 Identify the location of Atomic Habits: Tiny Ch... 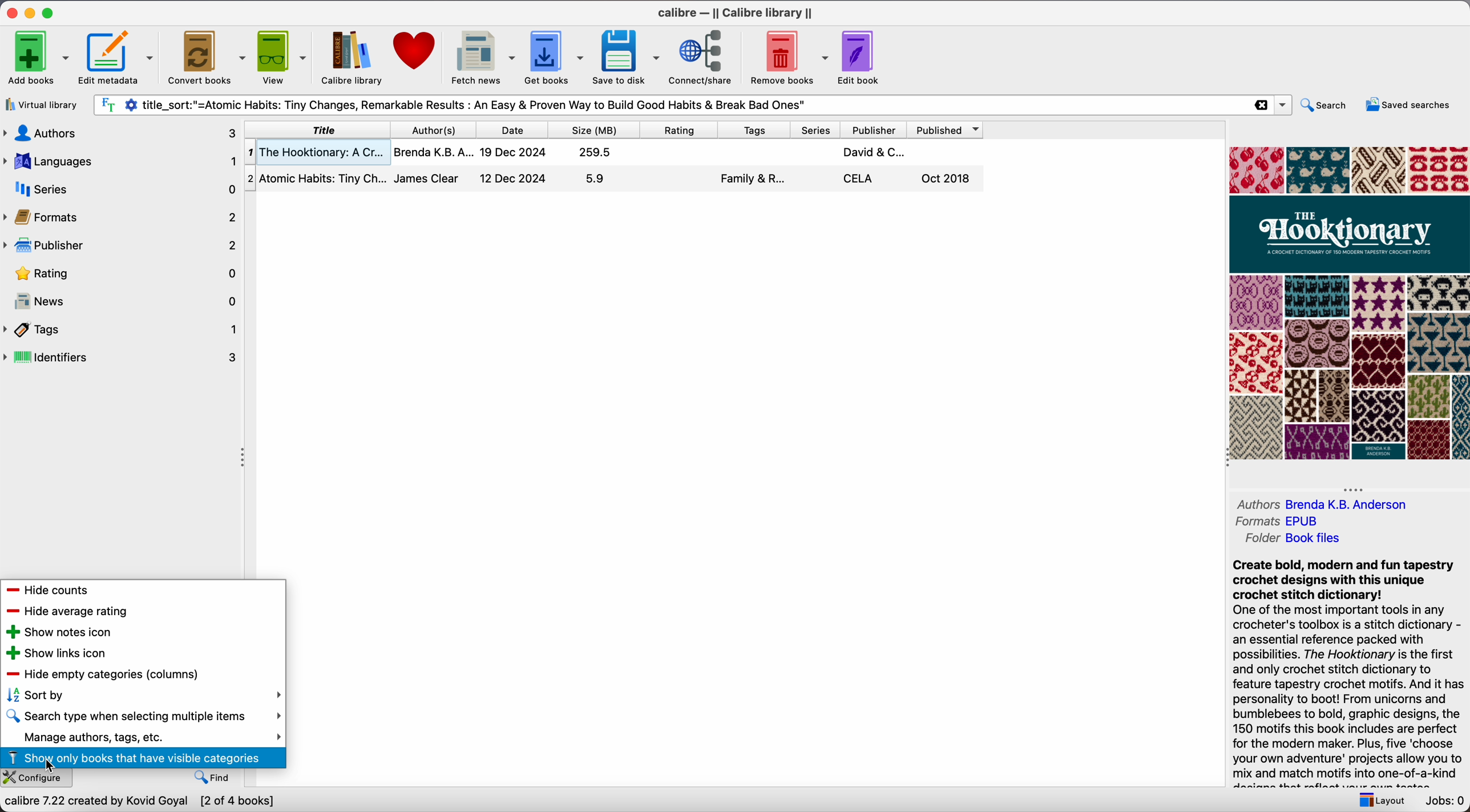
(317, 176).